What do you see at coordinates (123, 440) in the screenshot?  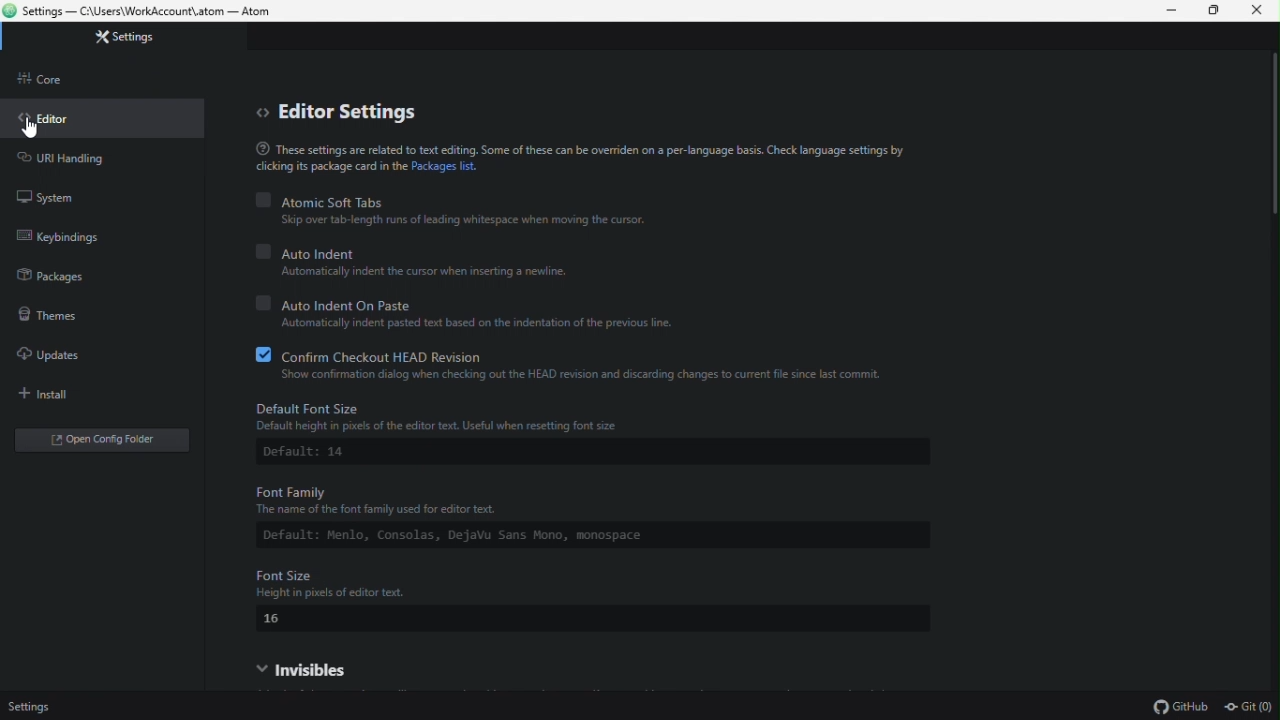 I see `open folder` at bounding box center [123, 440].